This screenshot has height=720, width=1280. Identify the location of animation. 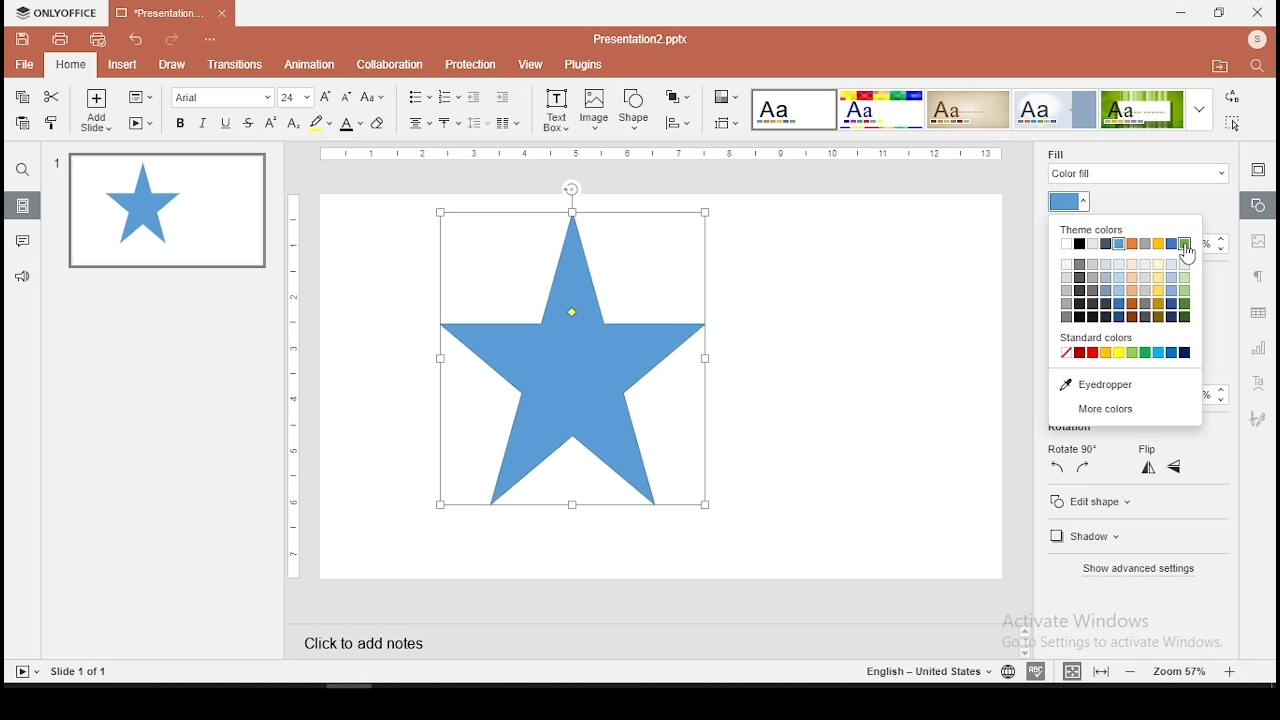
(312, 65).